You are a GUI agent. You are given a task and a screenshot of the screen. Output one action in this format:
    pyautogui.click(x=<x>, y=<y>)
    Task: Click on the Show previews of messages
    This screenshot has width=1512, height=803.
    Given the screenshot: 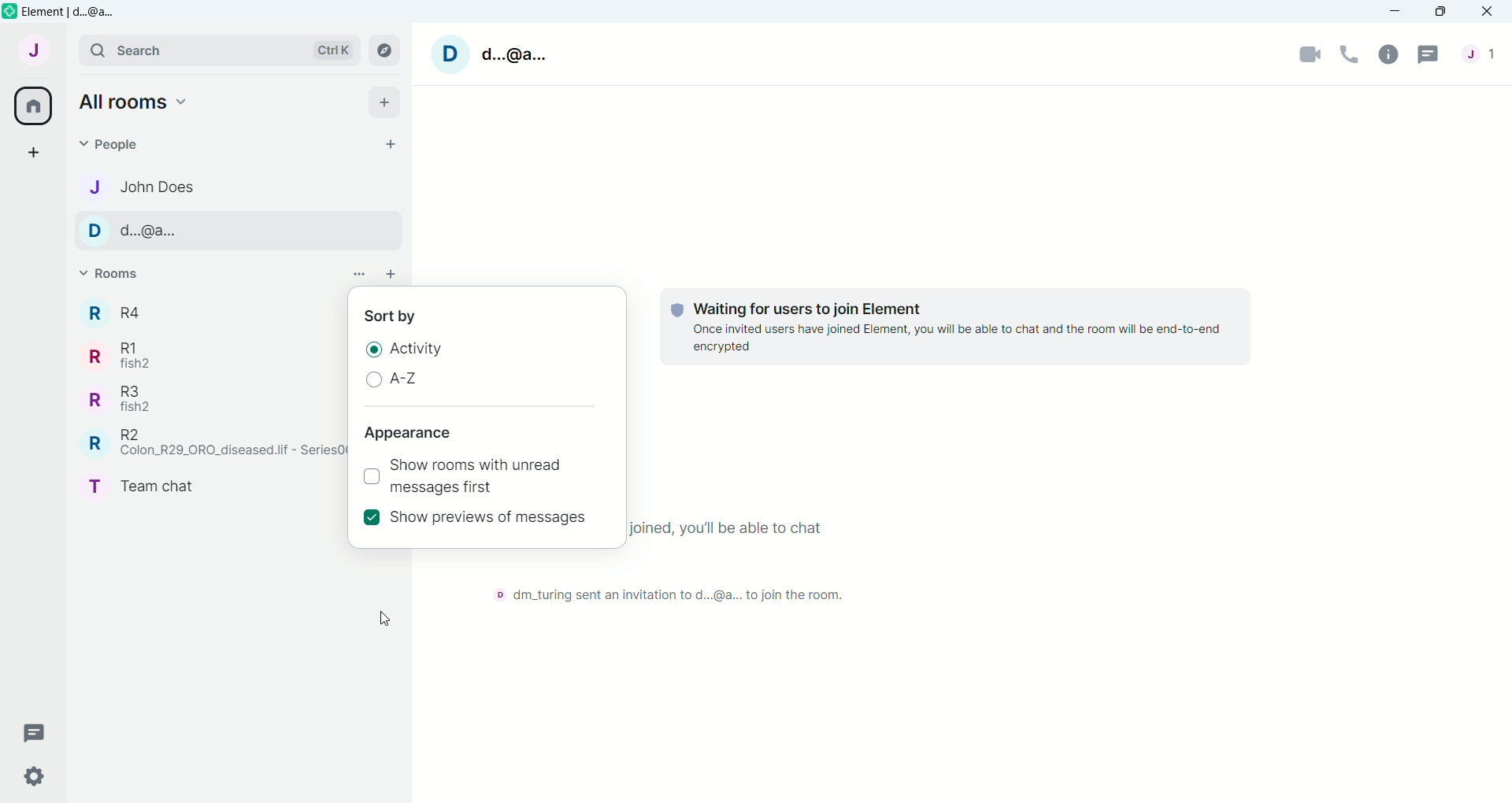 What is the action you would take?
    pyautogui.click(x=492, y=517)
    